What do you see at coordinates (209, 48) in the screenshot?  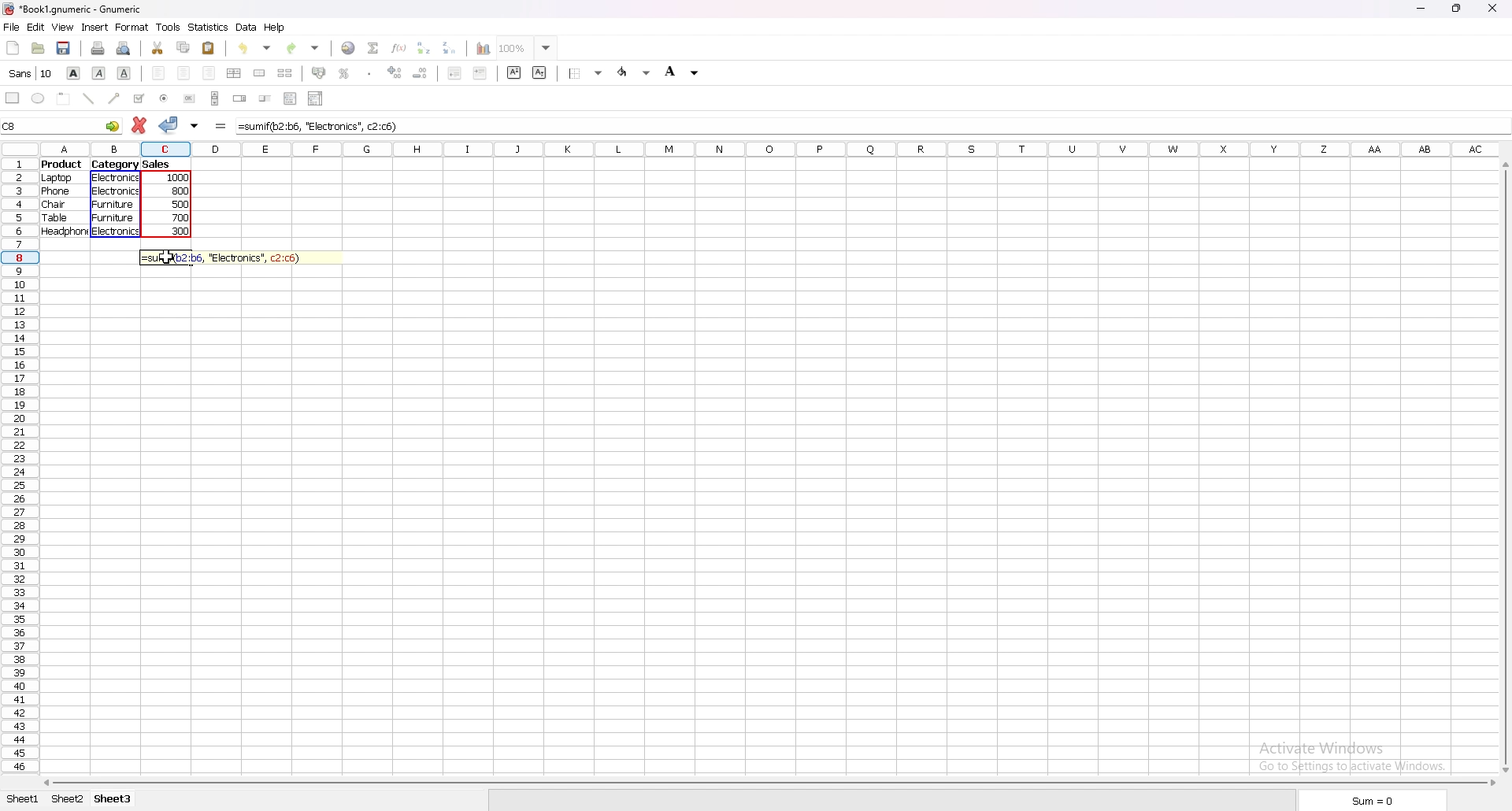 I see `paste` at bounding box center [209, 48].